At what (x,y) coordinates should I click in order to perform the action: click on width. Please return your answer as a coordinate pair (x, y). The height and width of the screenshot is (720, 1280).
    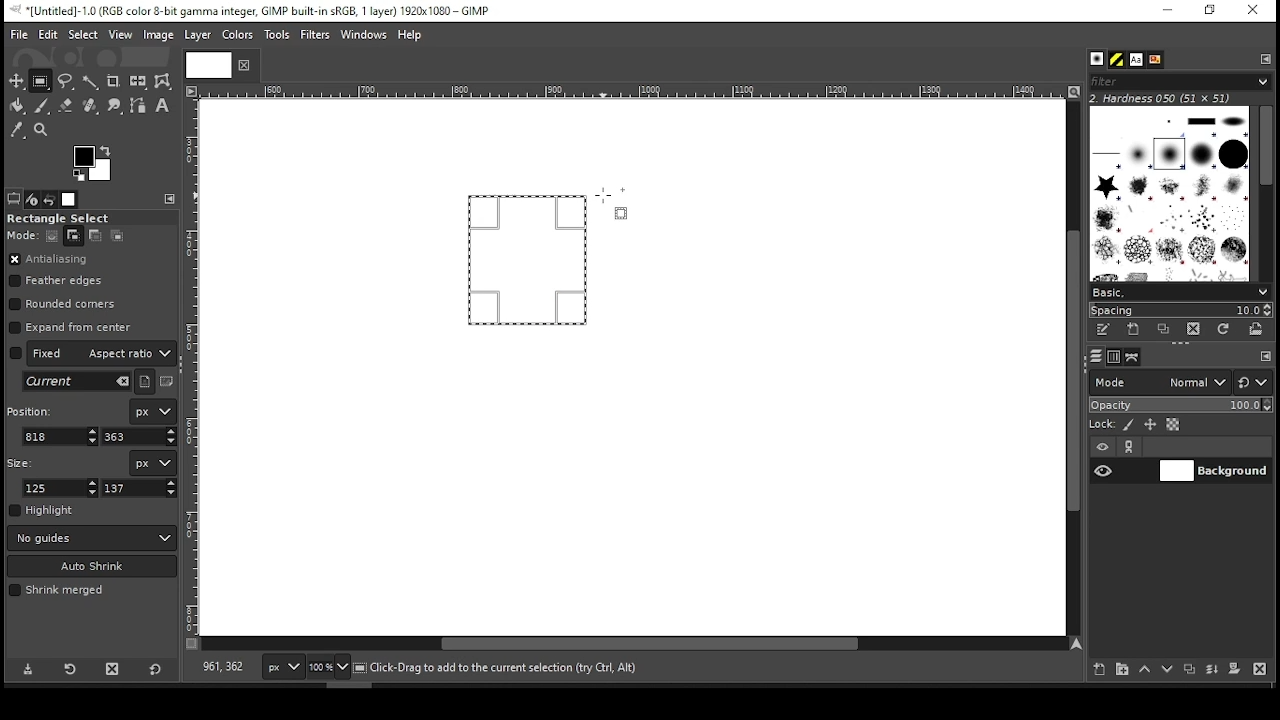
    Looking at the image, I should click on (62, 488).